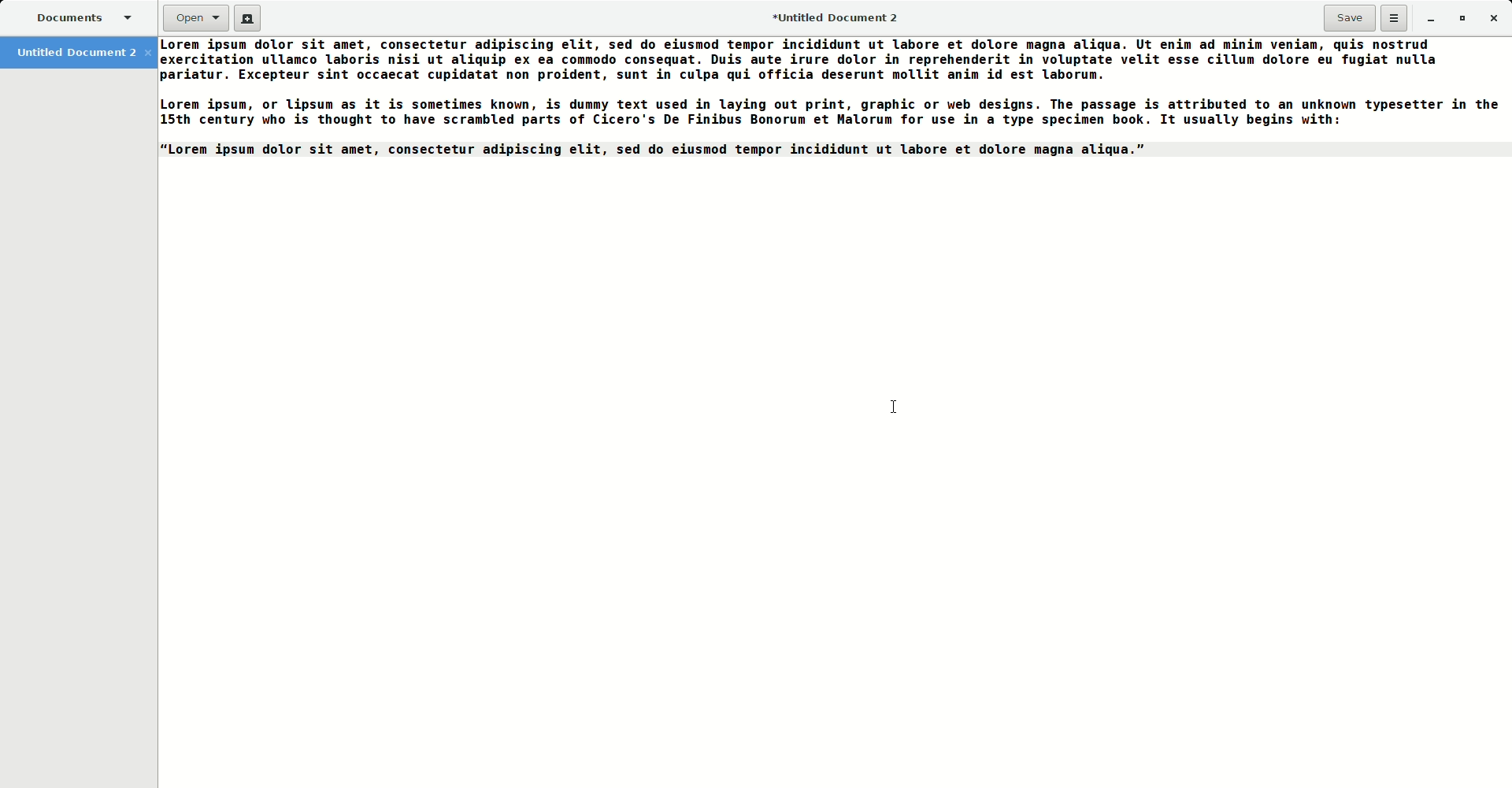 This screenshot has width=1512, height=788. I want to click on Options, so click(1391, 18).